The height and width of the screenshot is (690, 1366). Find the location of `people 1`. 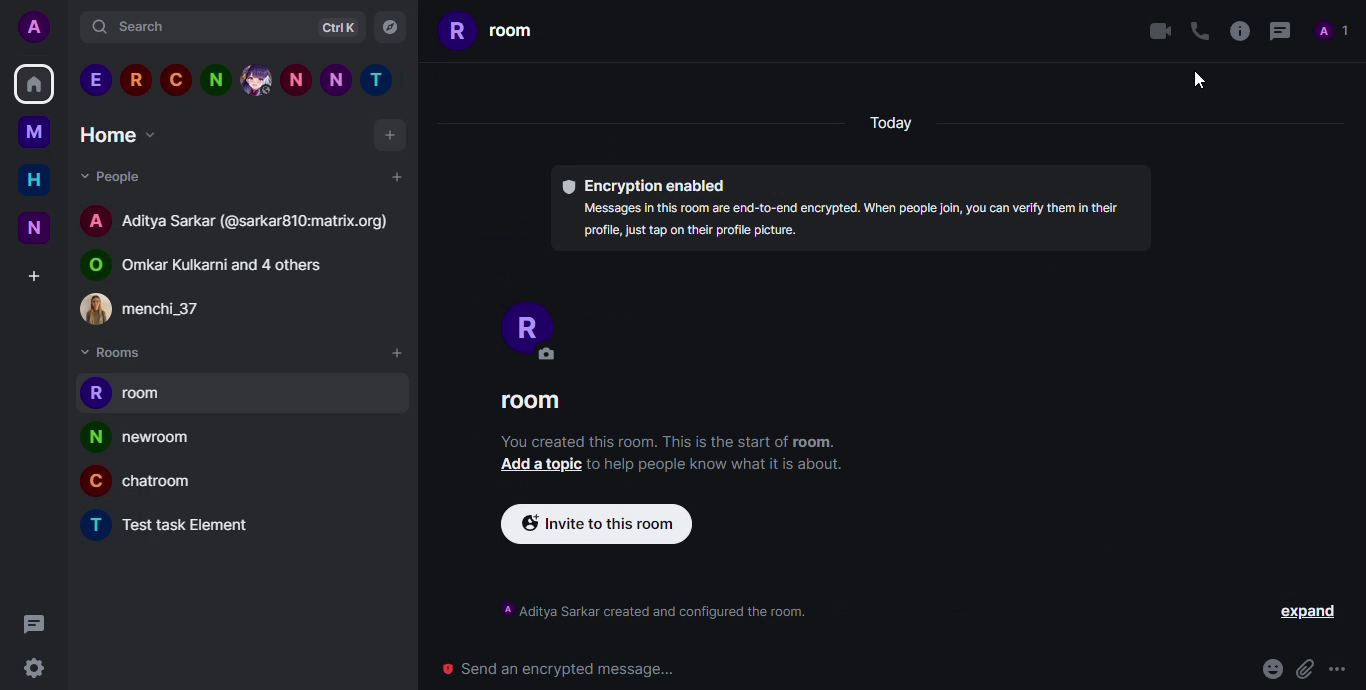

people 1 is located at coordinates (95, 80).